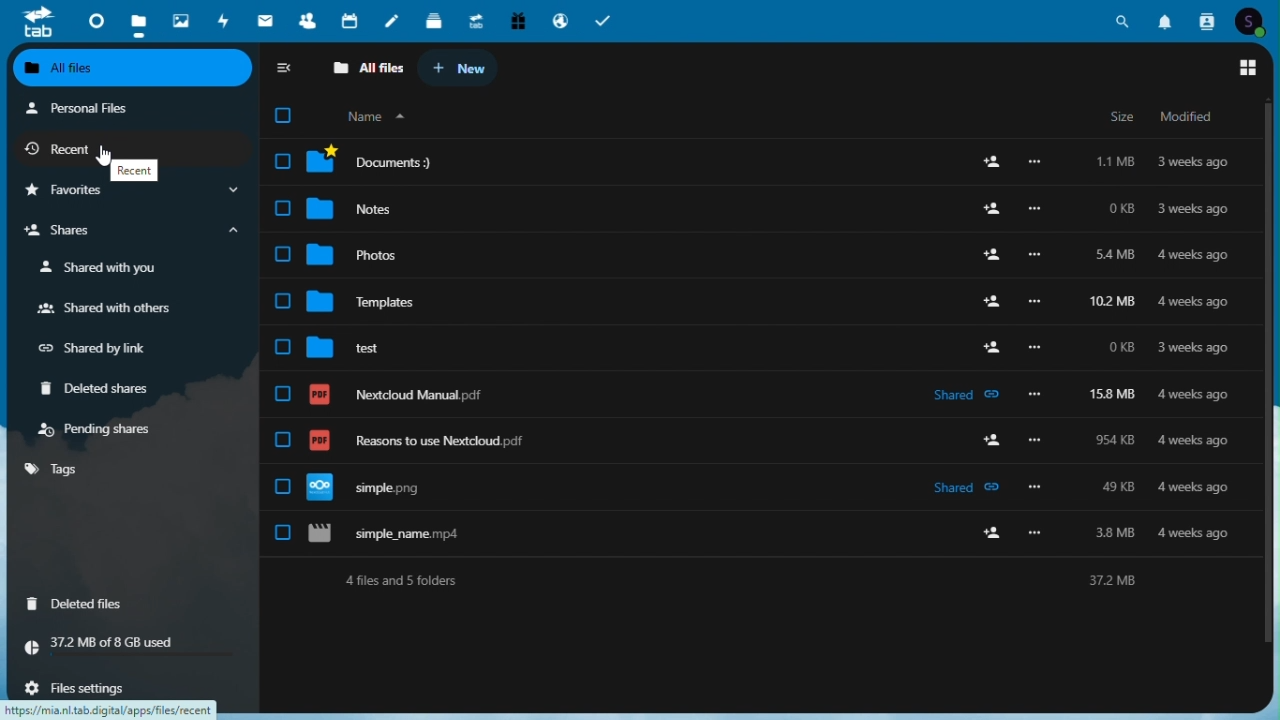  Describe the element at coordinates (735, 584) in the screenshot. I see `4files and 5 folders` at that location.